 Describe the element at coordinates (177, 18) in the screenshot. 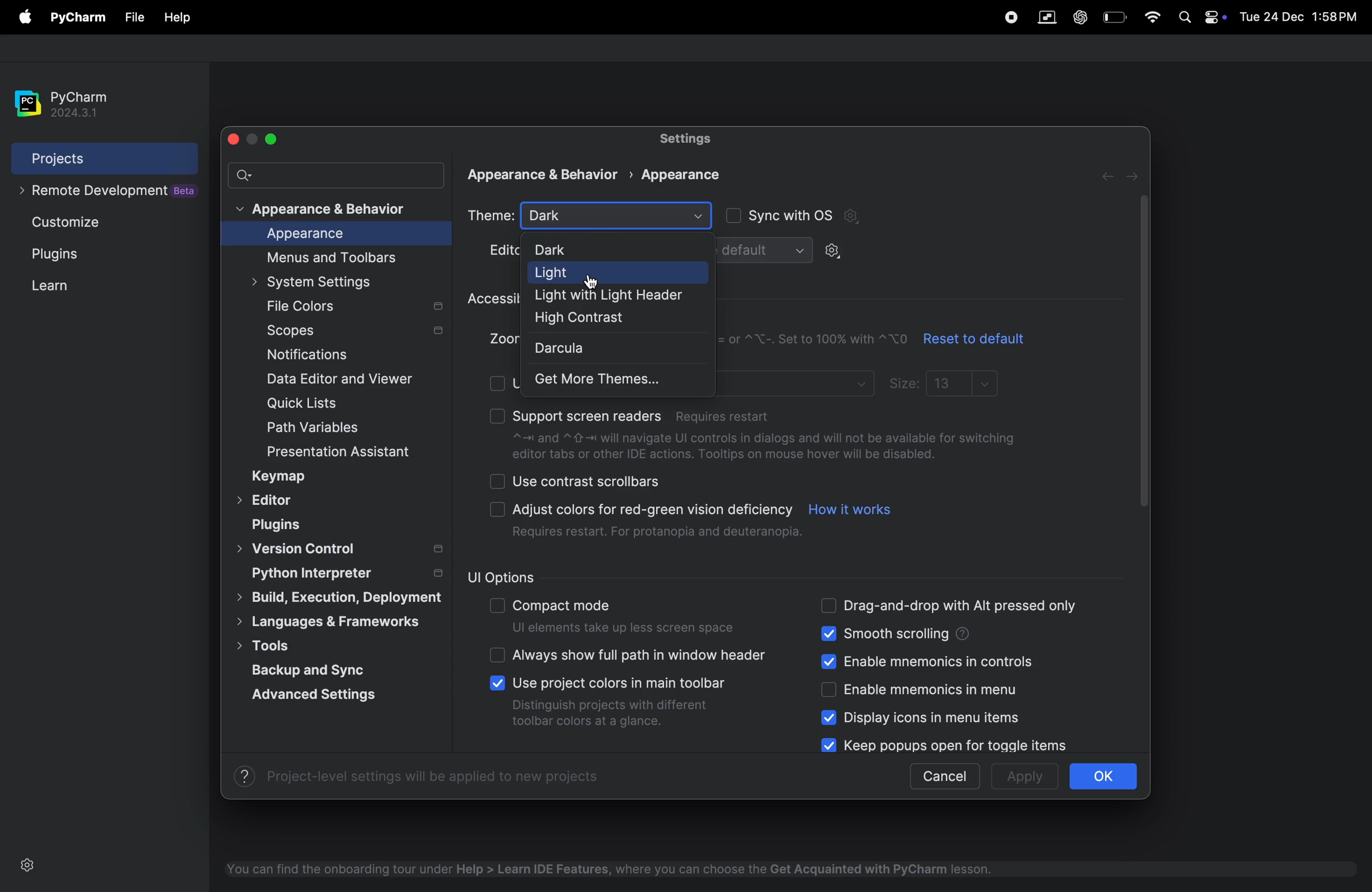

I see `file` at that location.